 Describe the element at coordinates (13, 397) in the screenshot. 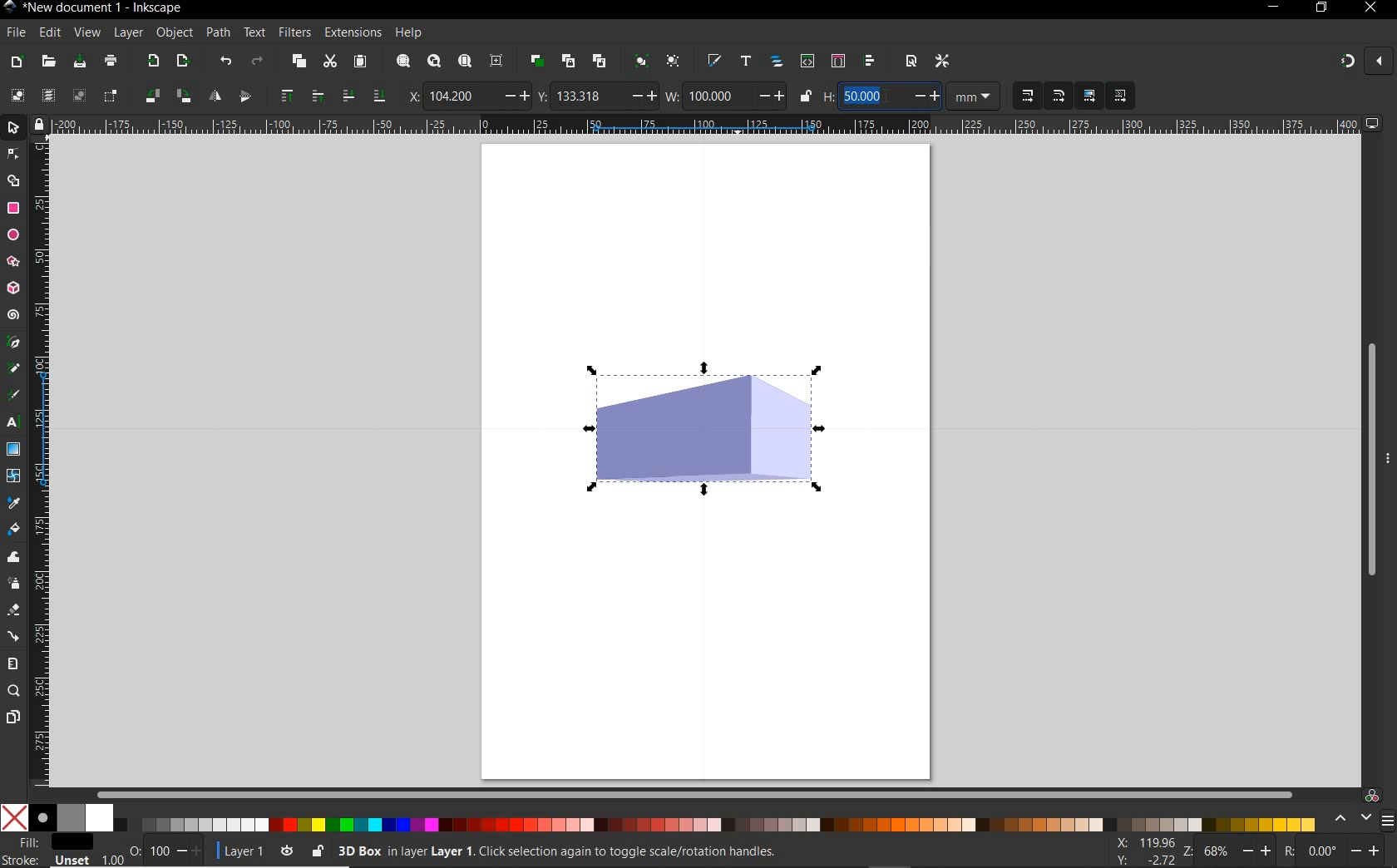

I see `calligraphy tool` at that location.